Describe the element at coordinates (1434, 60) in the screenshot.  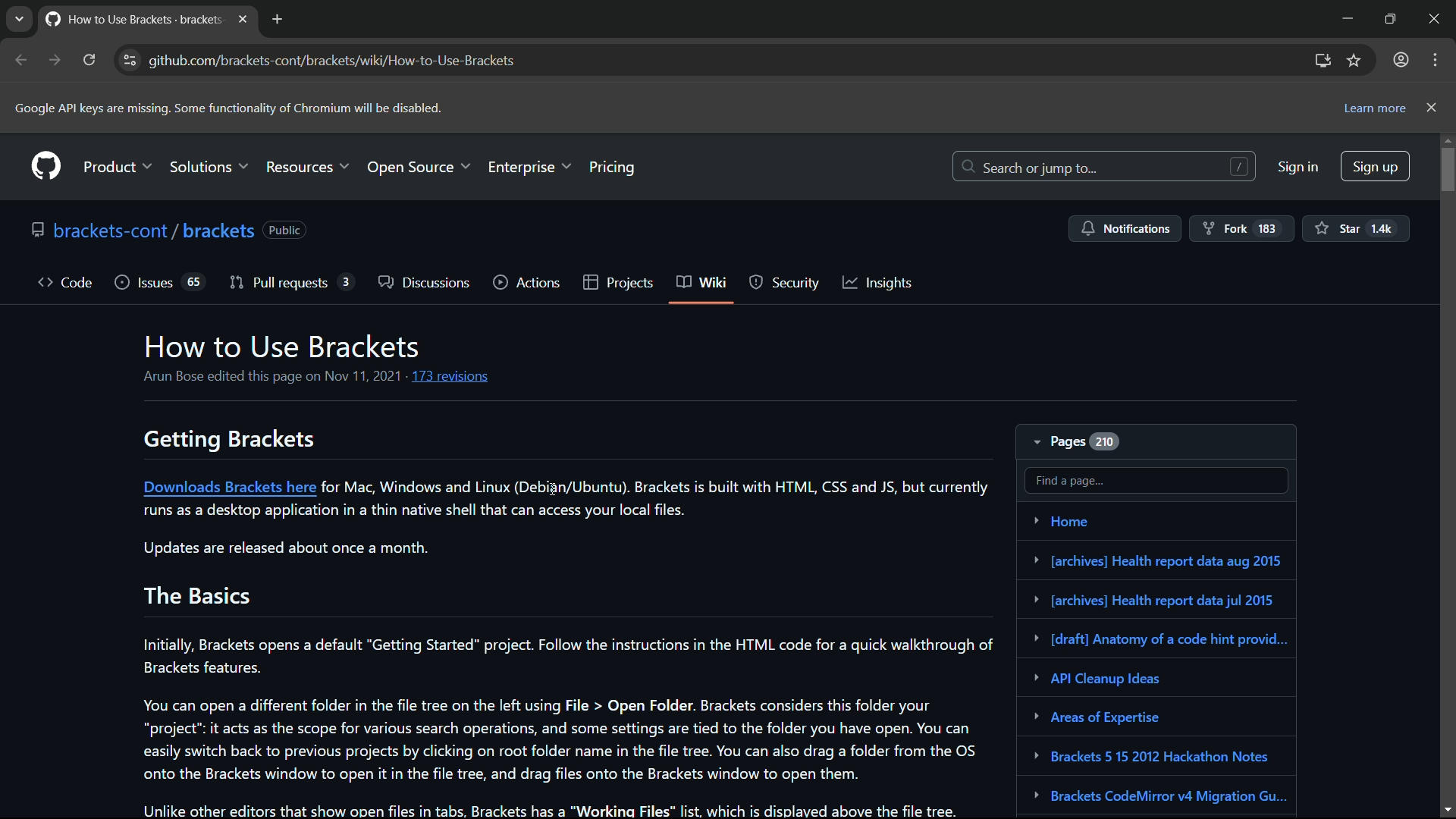
I see `more options` at that location.